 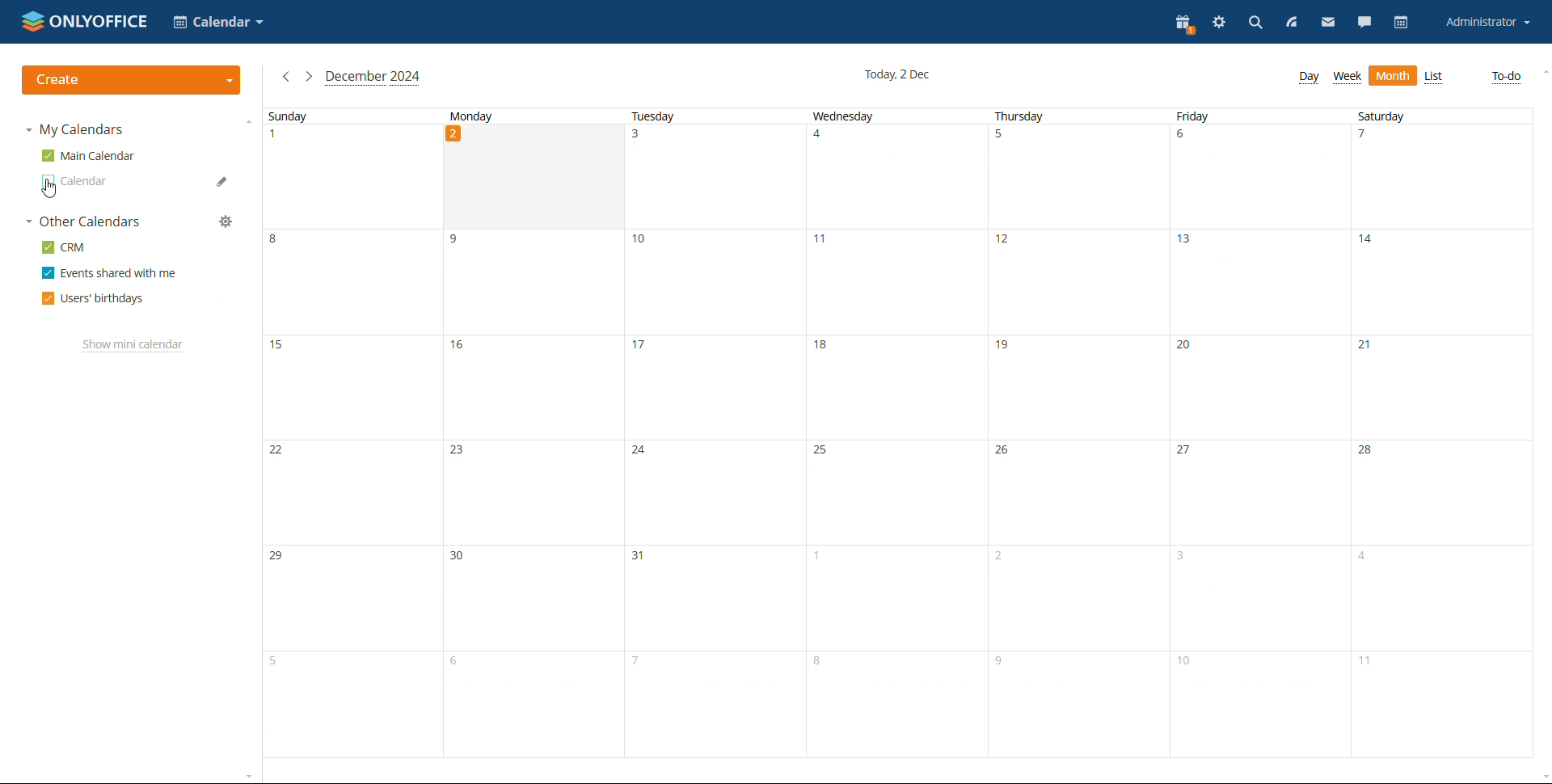 I want to click on saturday, so click(x=1443, y=433).